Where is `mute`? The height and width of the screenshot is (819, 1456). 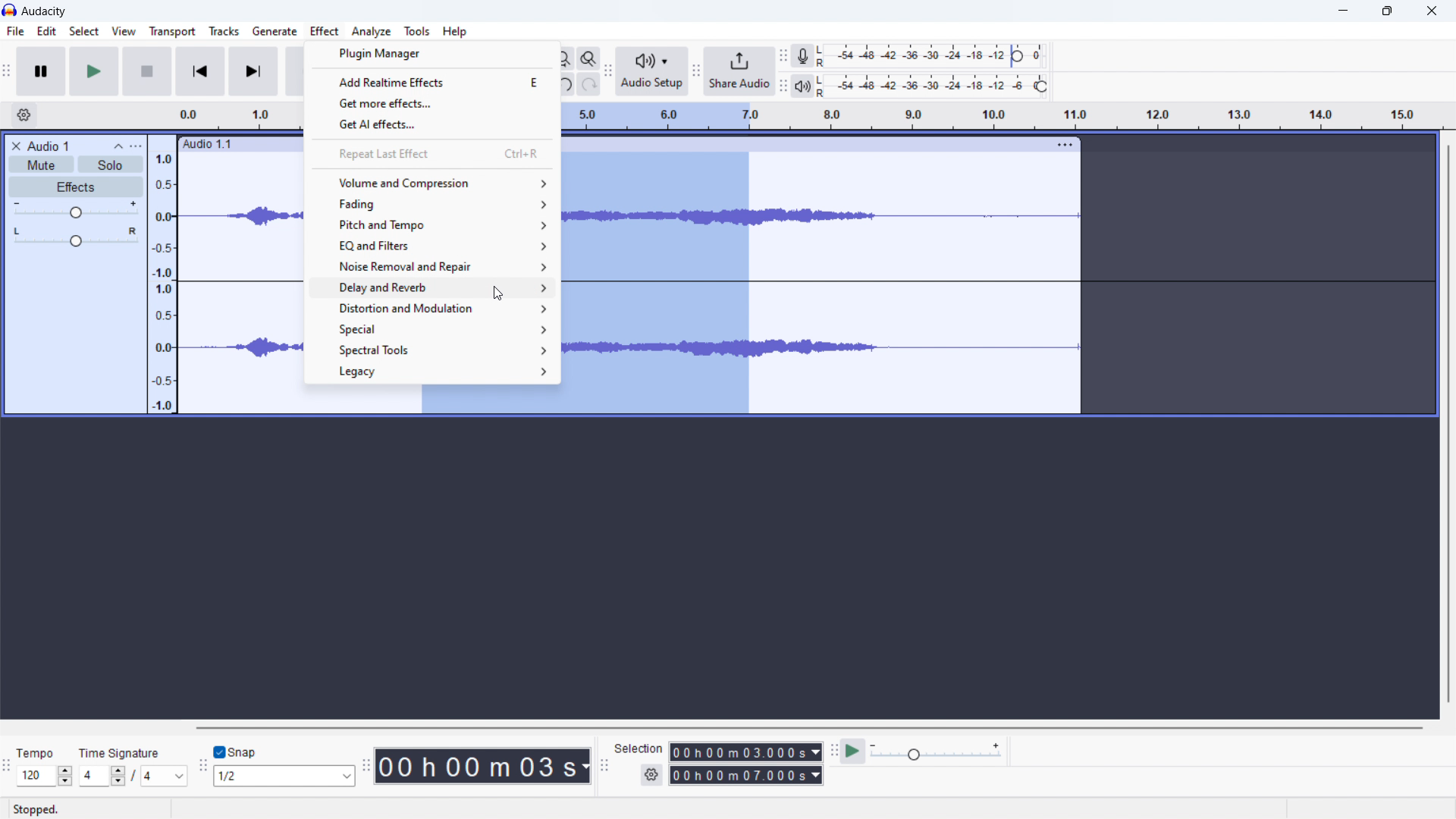 mute is located at coordinates (41, 165).